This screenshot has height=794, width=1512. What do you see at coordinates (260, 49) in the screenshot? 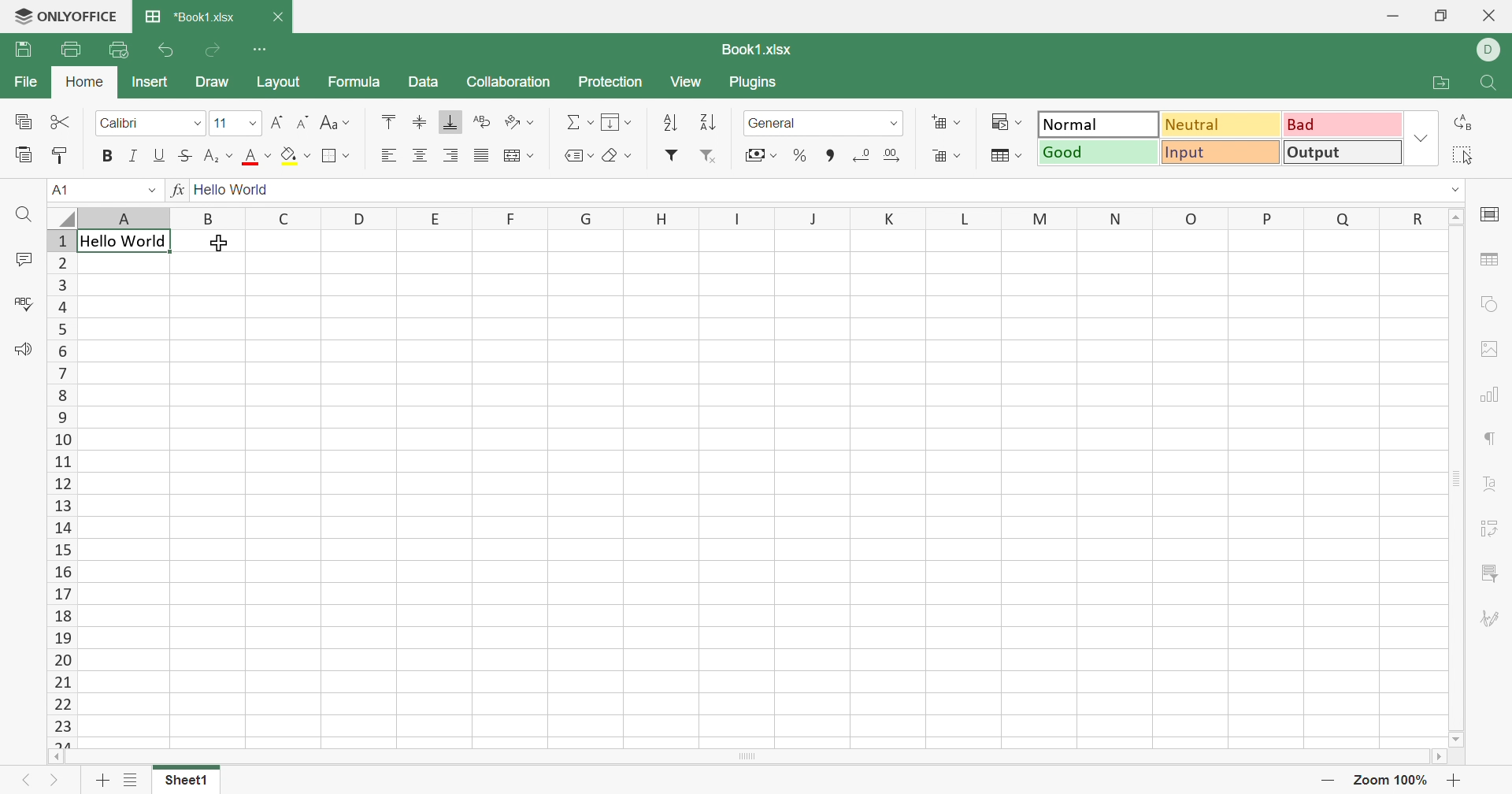
I see `Customize Quick Access Toolbar` at bounding box center [260, 49].